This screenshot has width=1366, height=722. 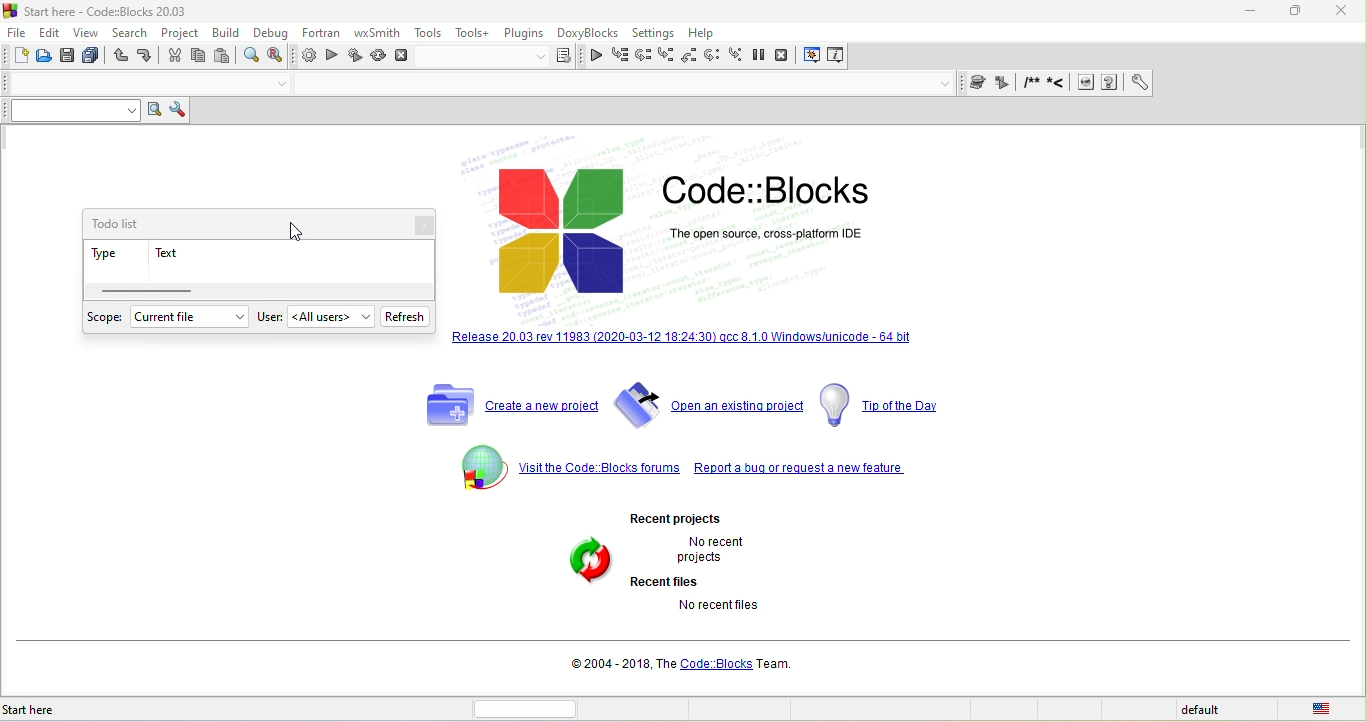 I want to click on open, so click(x=47, y=56).